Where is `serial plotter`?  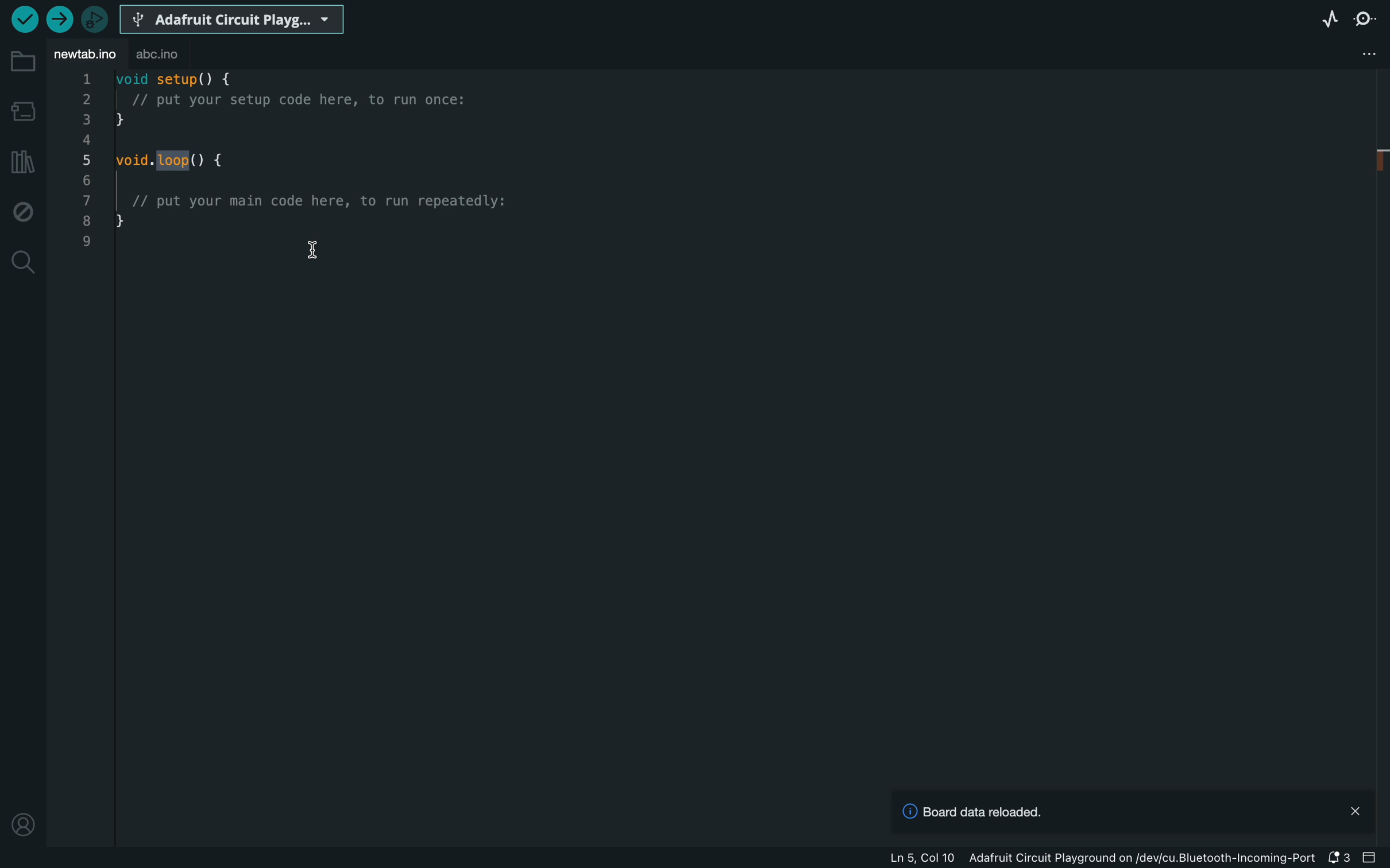
serial plotter is located at coordinates (1317, 18).